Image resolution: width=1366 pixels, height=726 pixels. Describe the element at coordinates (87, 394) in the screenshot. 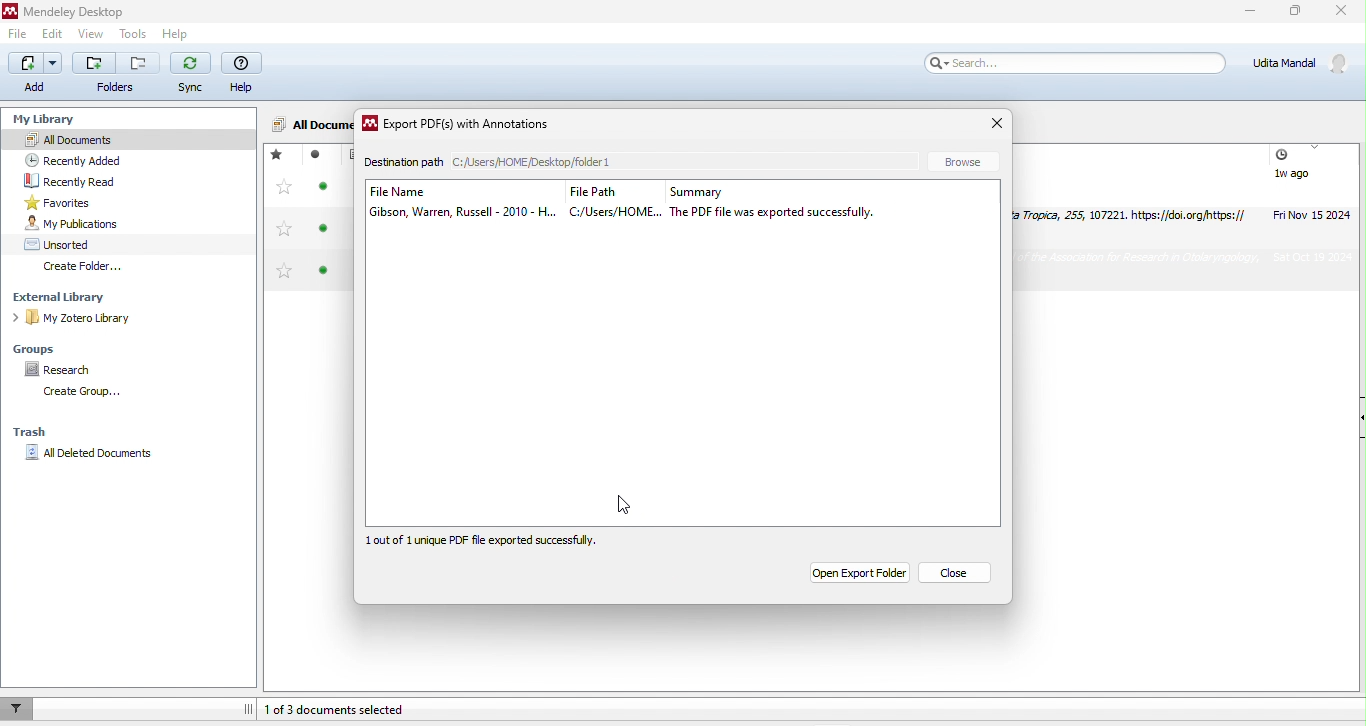

I see `create group` at that location.